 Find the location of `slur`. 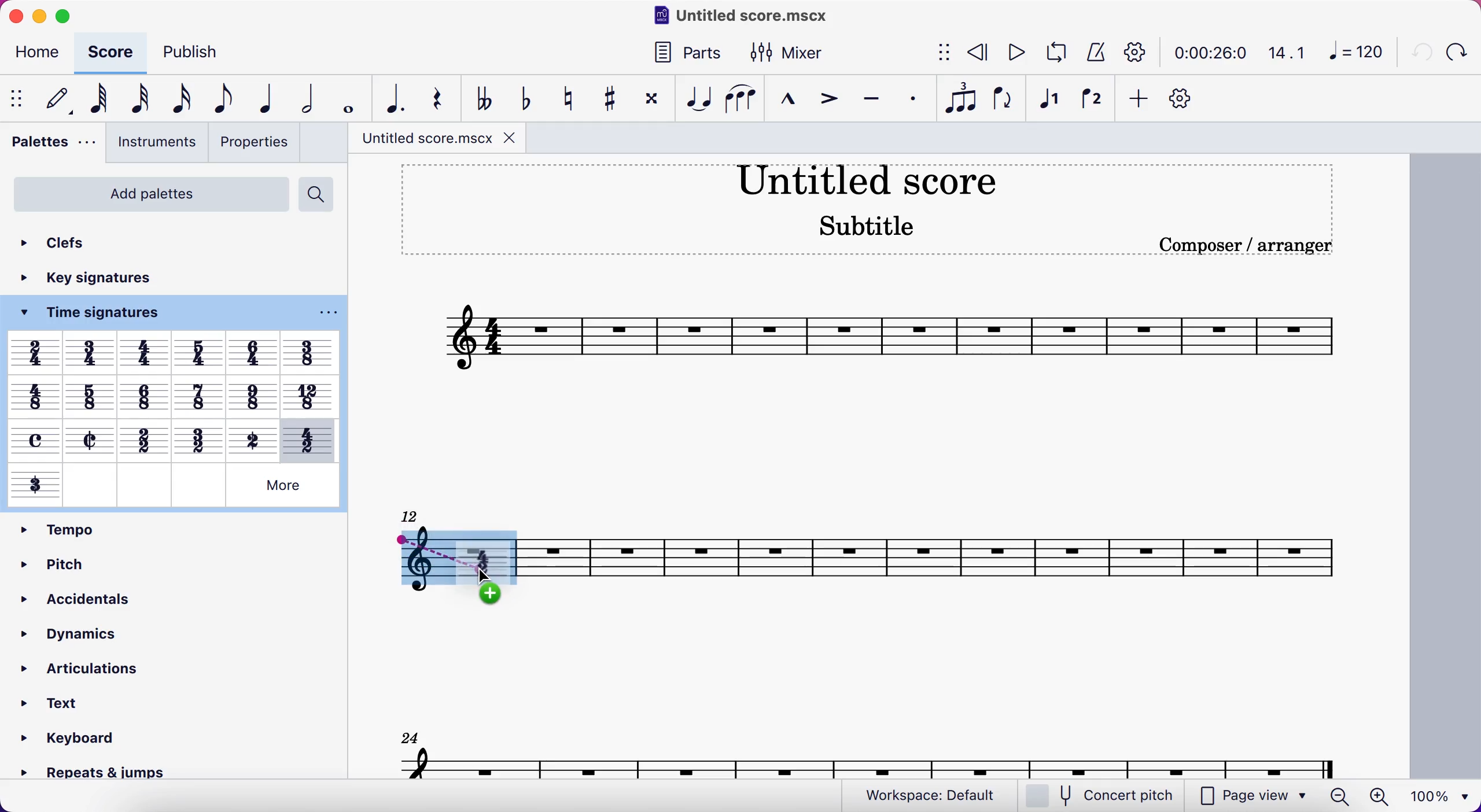

slur is located at coordinates (739, 98).